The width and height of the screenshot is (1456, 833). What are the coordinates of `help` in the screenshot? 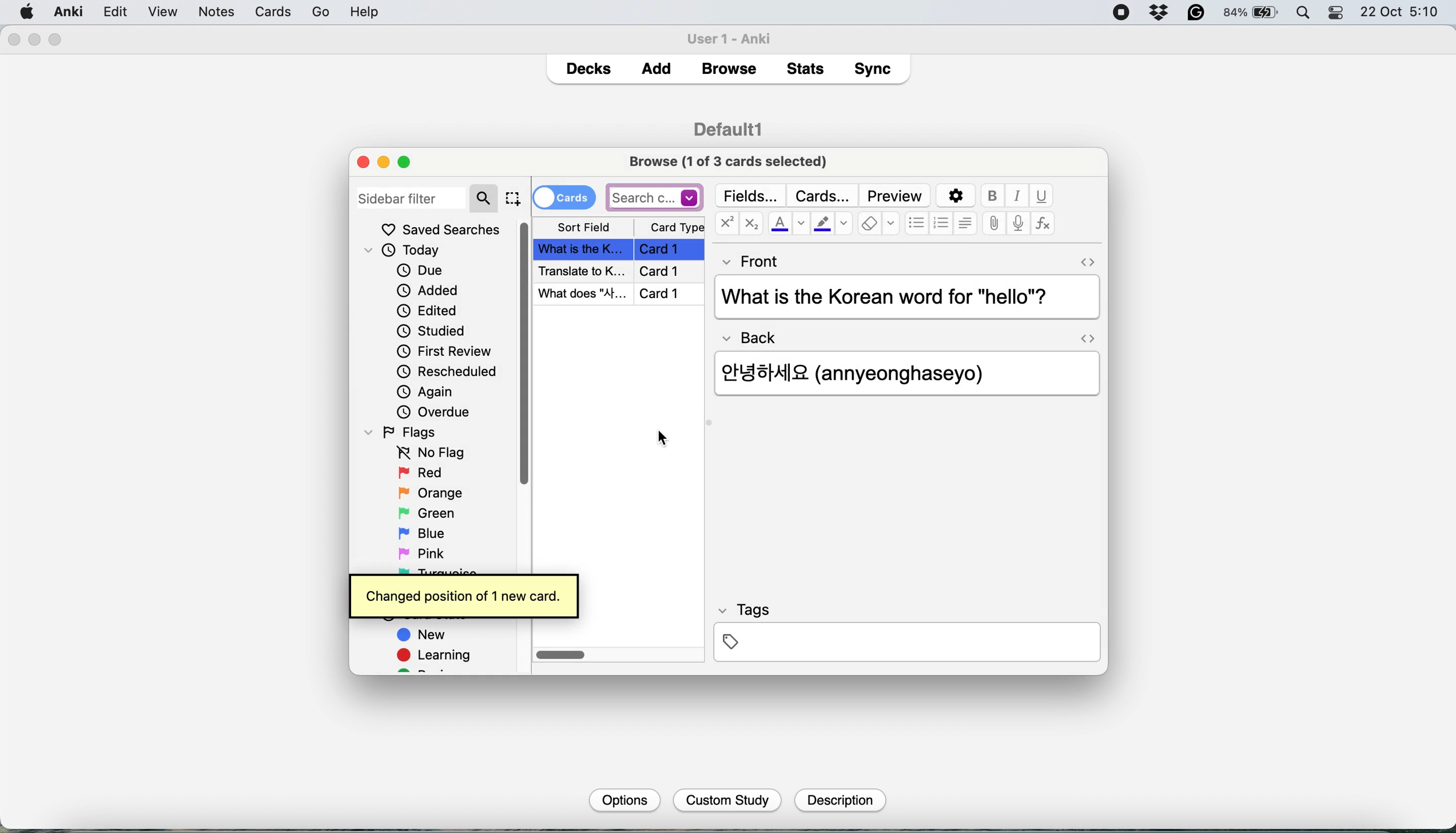 It's located at (309, 11).